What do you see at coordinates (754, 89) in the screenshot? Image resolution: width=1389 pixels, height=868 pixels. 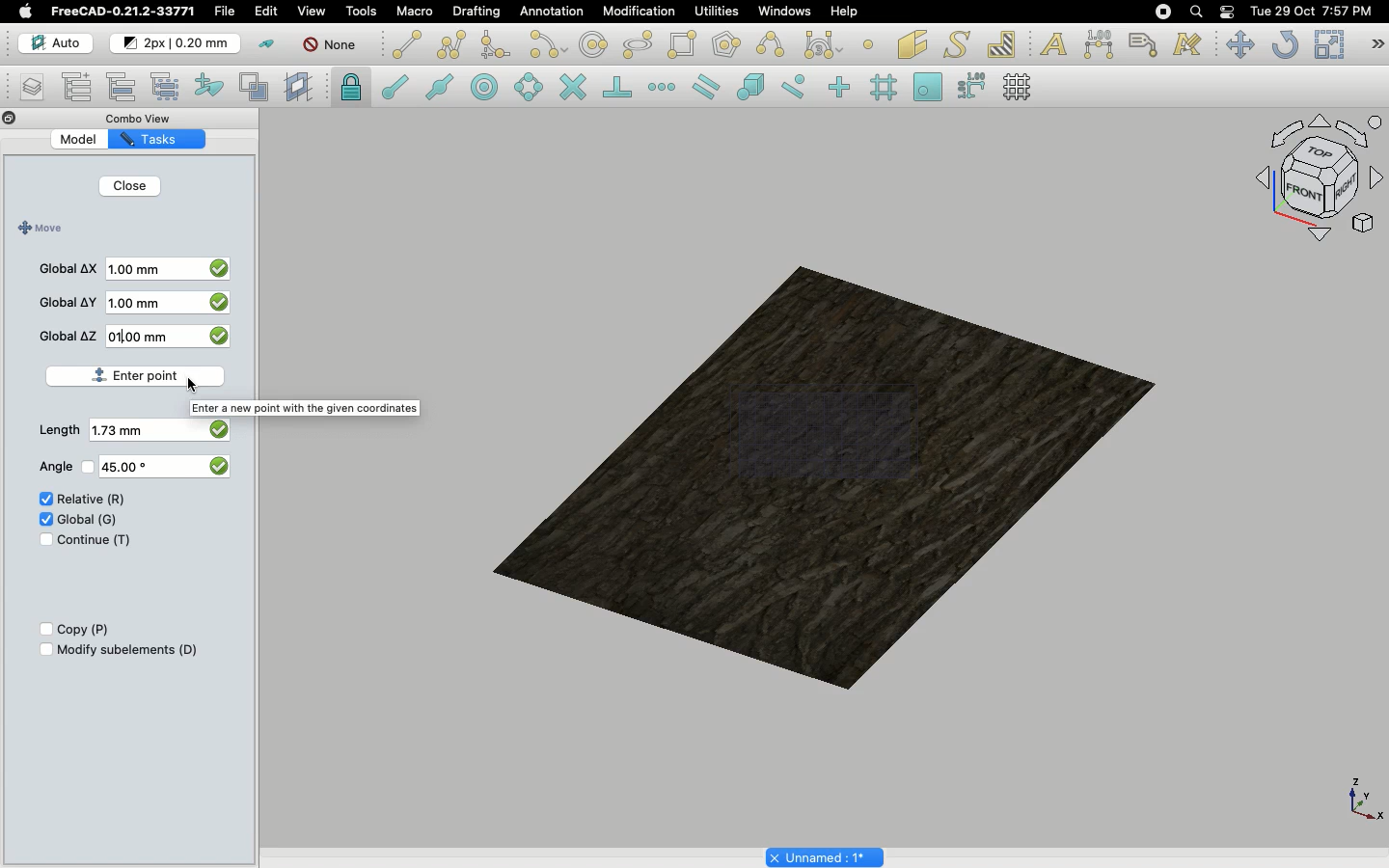 I see `Snap special ` at bounding box center [754, 89].